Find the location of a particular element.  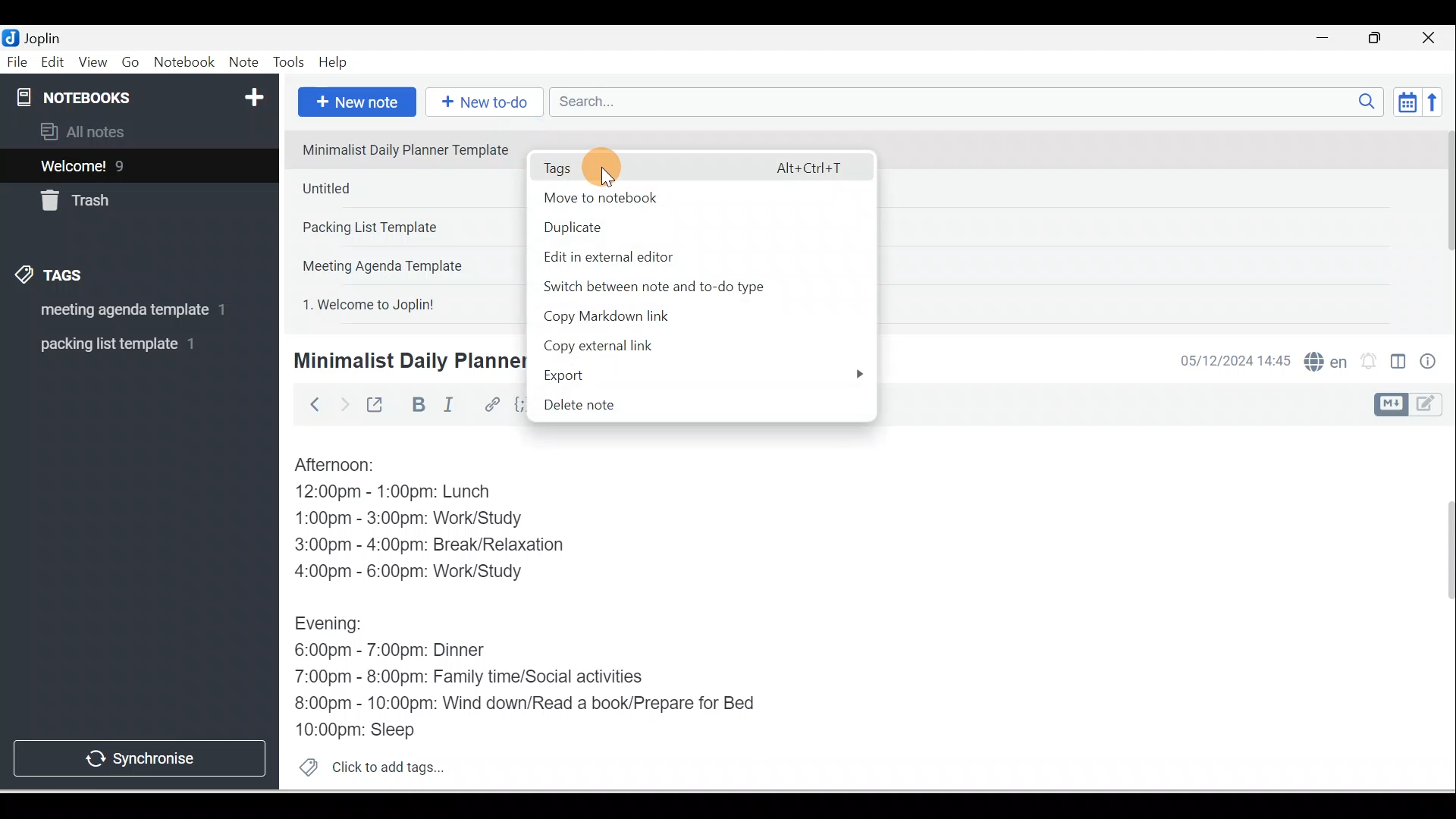

Toggle editors is located at coordinates (1398, 364).